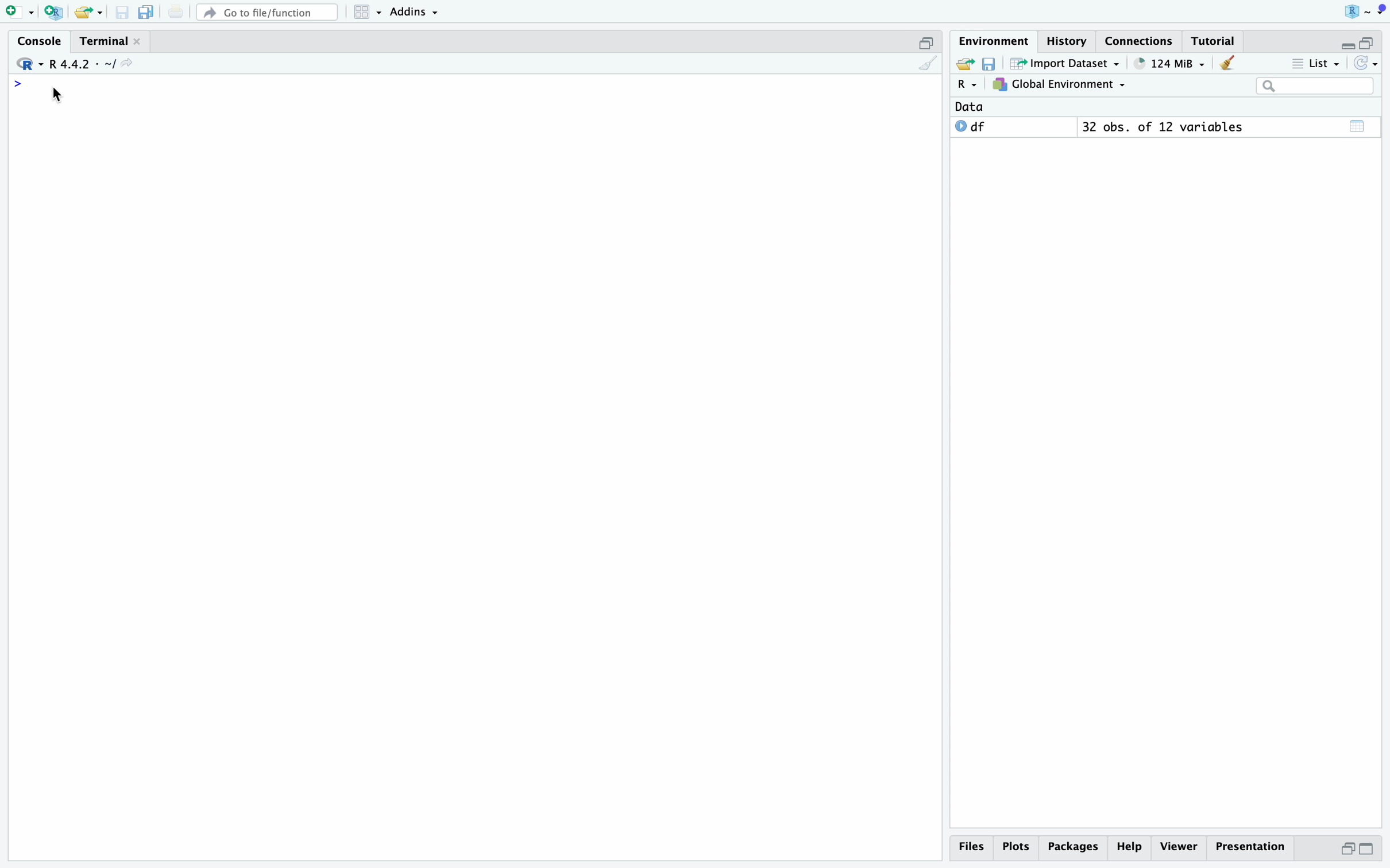 The width and height of the screenshot is (1390, 868). I want to click on help, so click(1130, 847).